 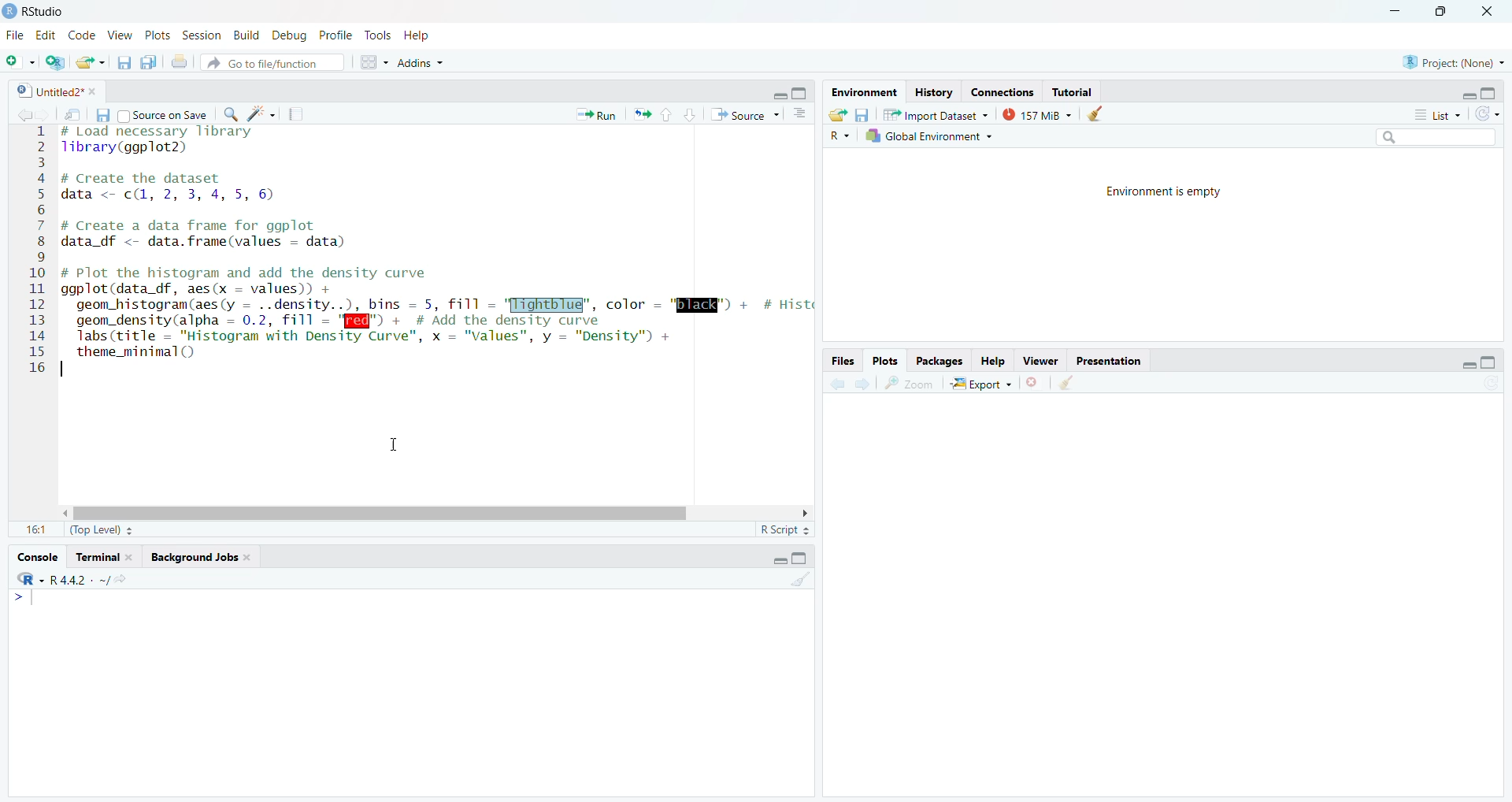 I want to click on refresh the list of objects in the environment, so click(x=1489, y=114).